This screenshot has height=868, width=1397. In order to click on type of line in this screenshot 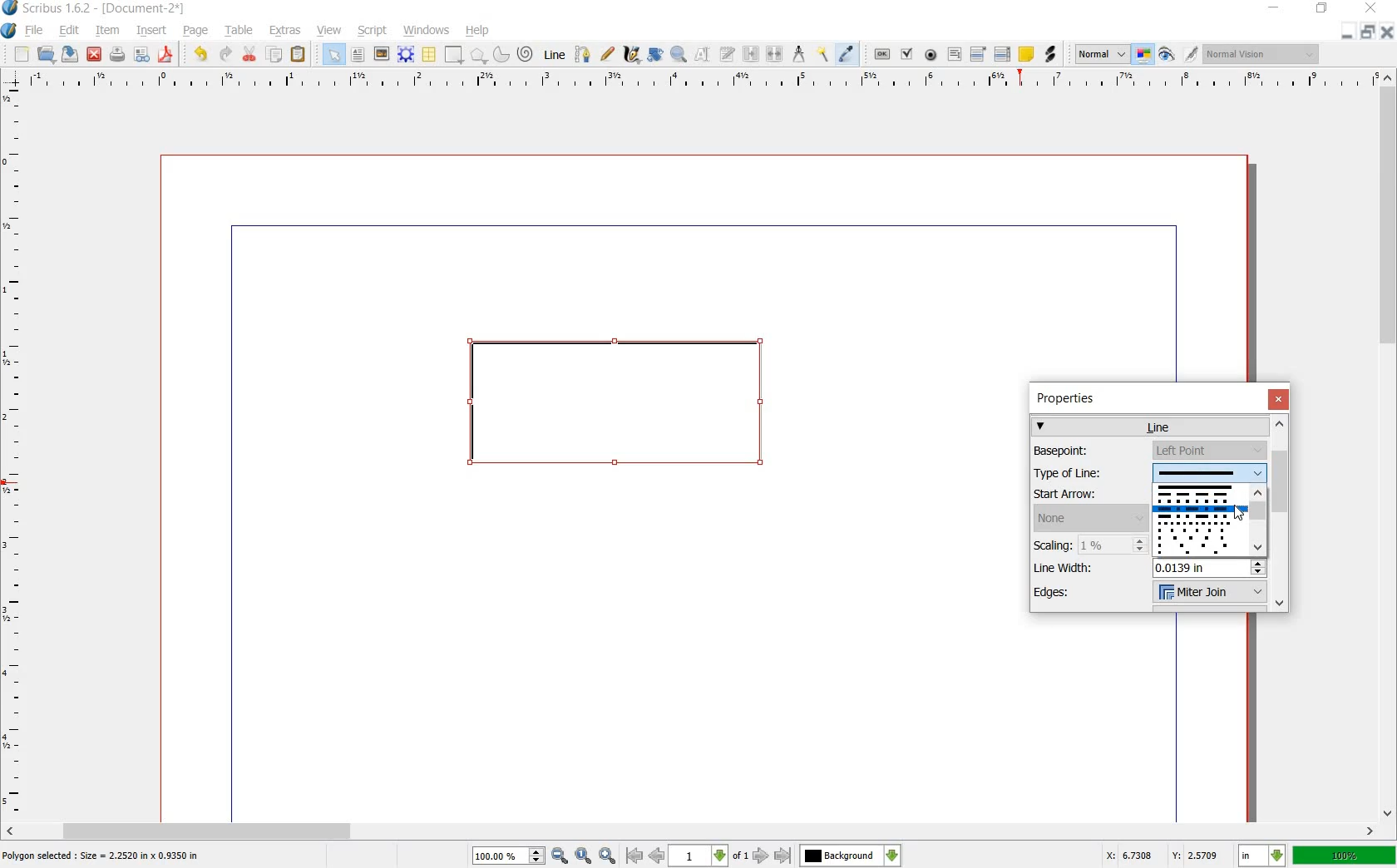, I will do `click(1209, 472)`.